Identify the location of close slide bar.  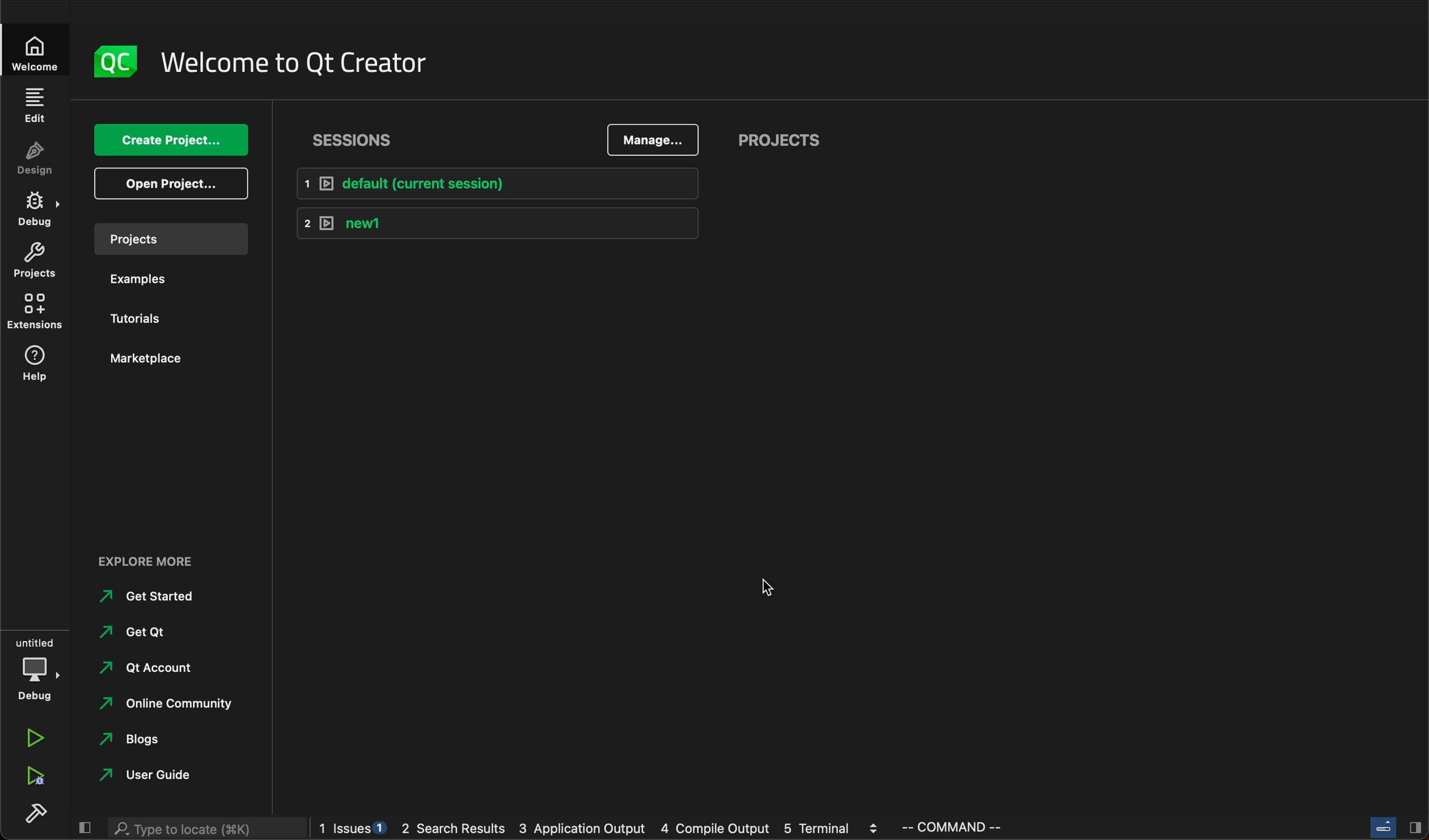
(1393, 827).